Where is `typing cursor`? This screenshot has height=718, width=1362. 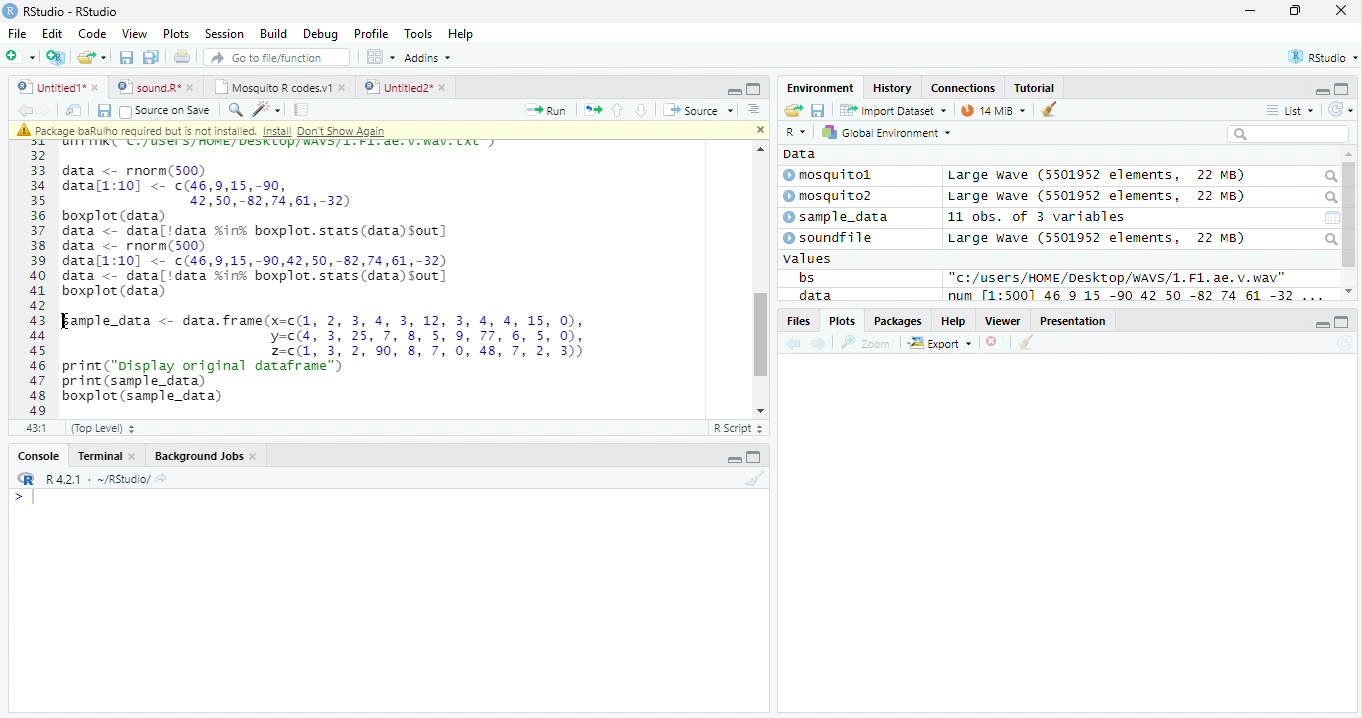 typing cursor is located at coordinates (24, 498).